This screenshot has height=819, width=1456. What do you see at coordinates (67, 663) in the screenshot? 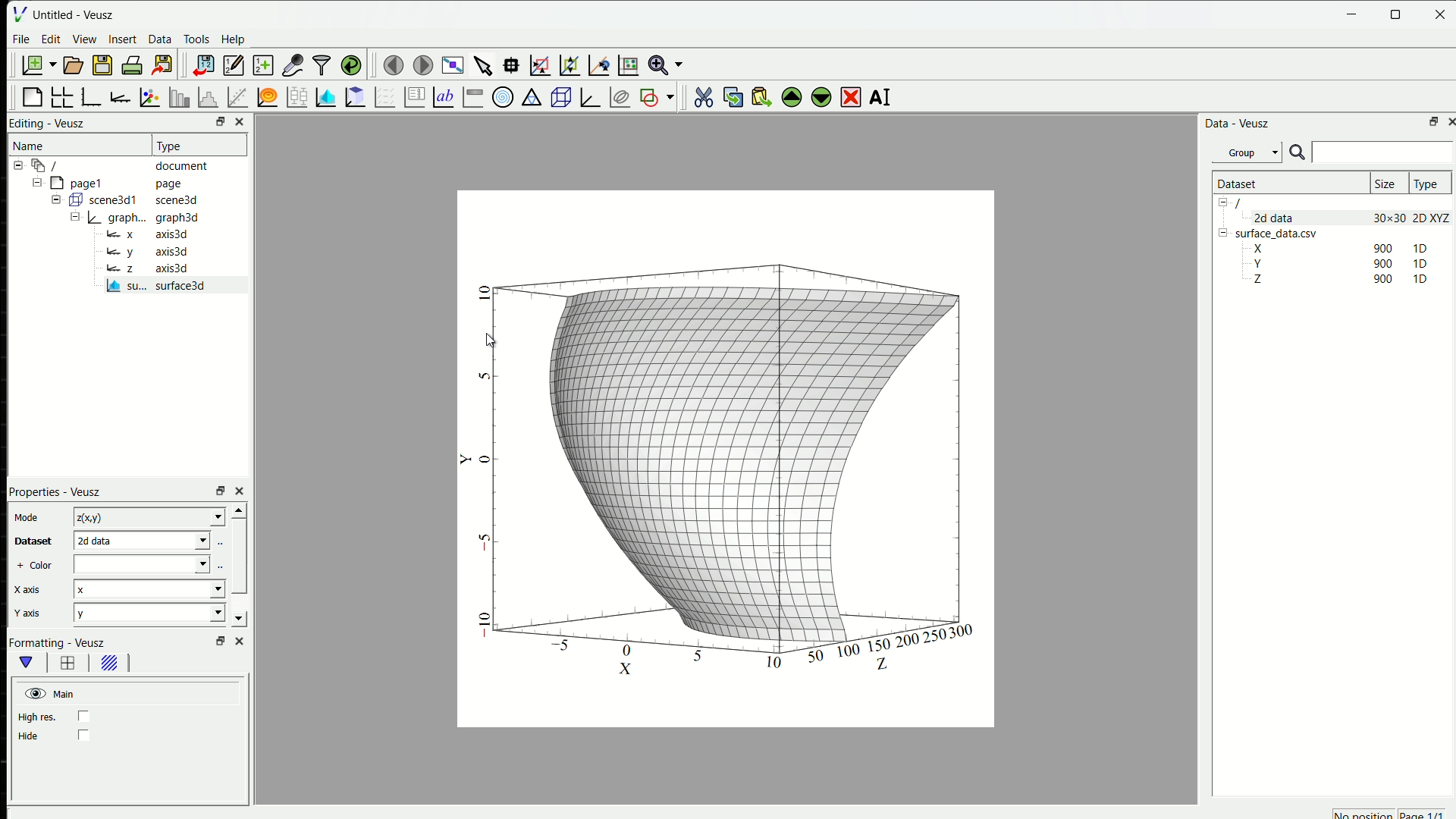
I see `border` at bounding box center [67, 663].